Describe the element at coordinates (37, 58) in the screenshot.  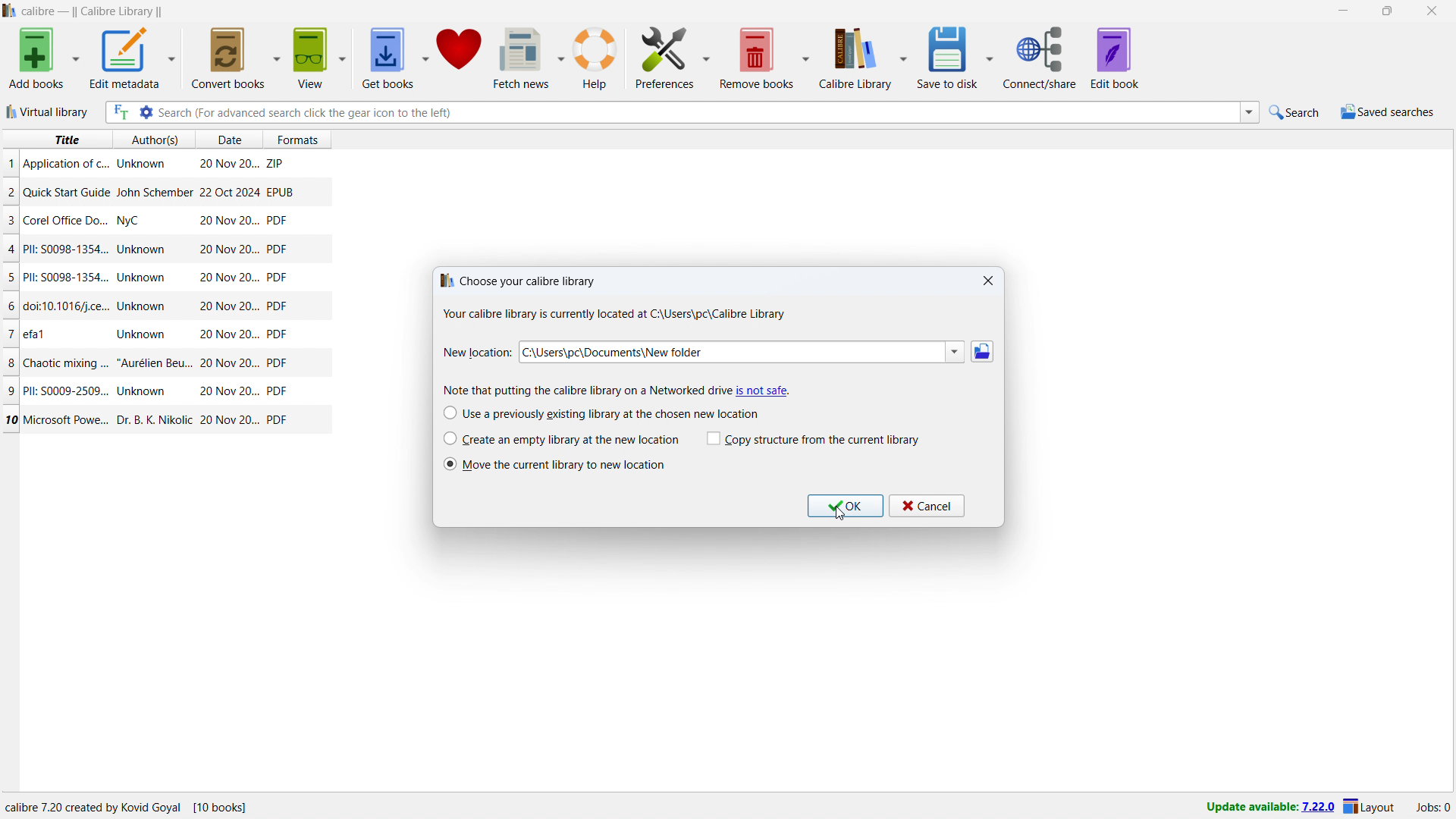
I see `add books` at that location.